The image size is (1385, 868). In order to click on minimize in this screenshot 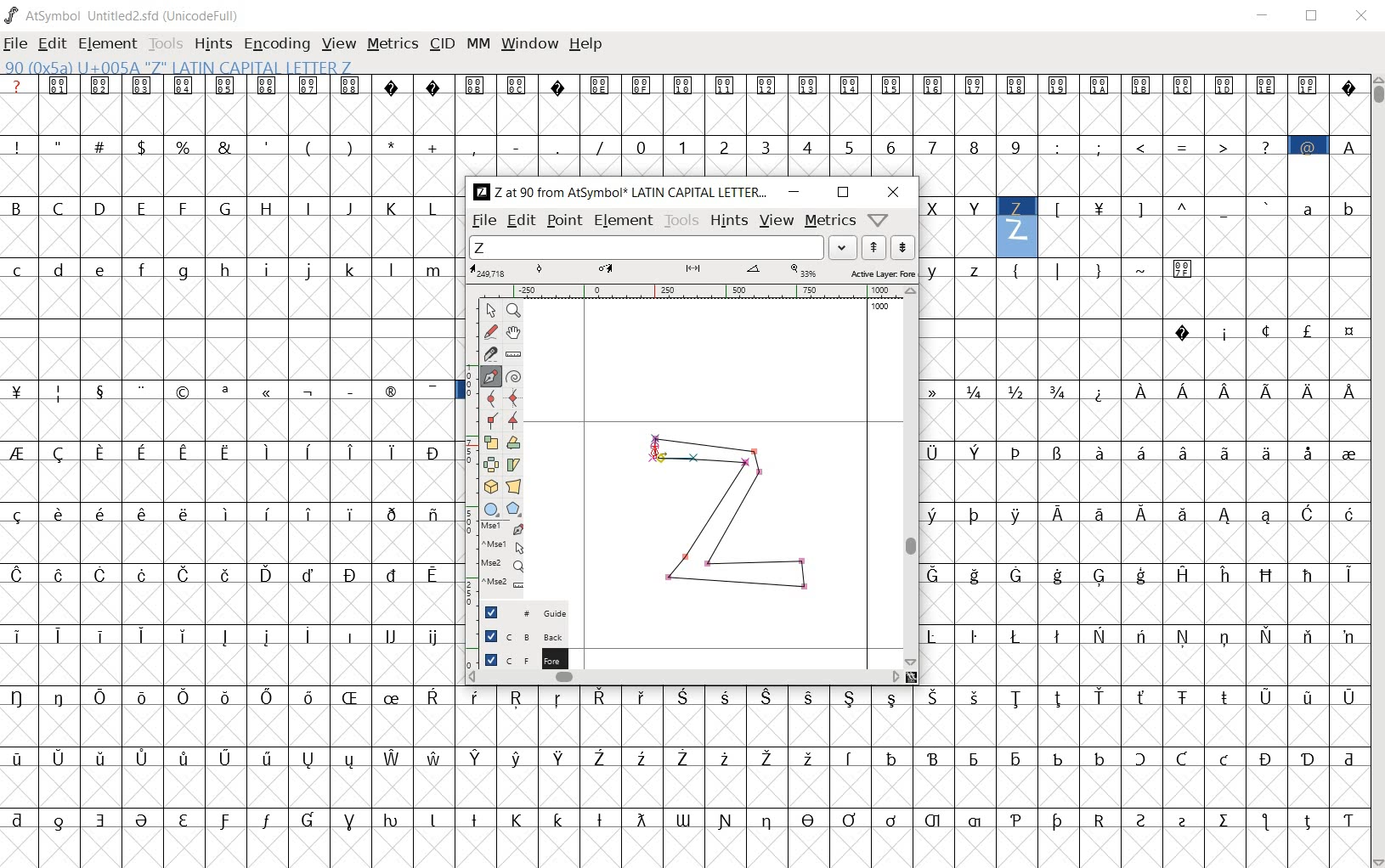, I will do `click(1266, 18)`.